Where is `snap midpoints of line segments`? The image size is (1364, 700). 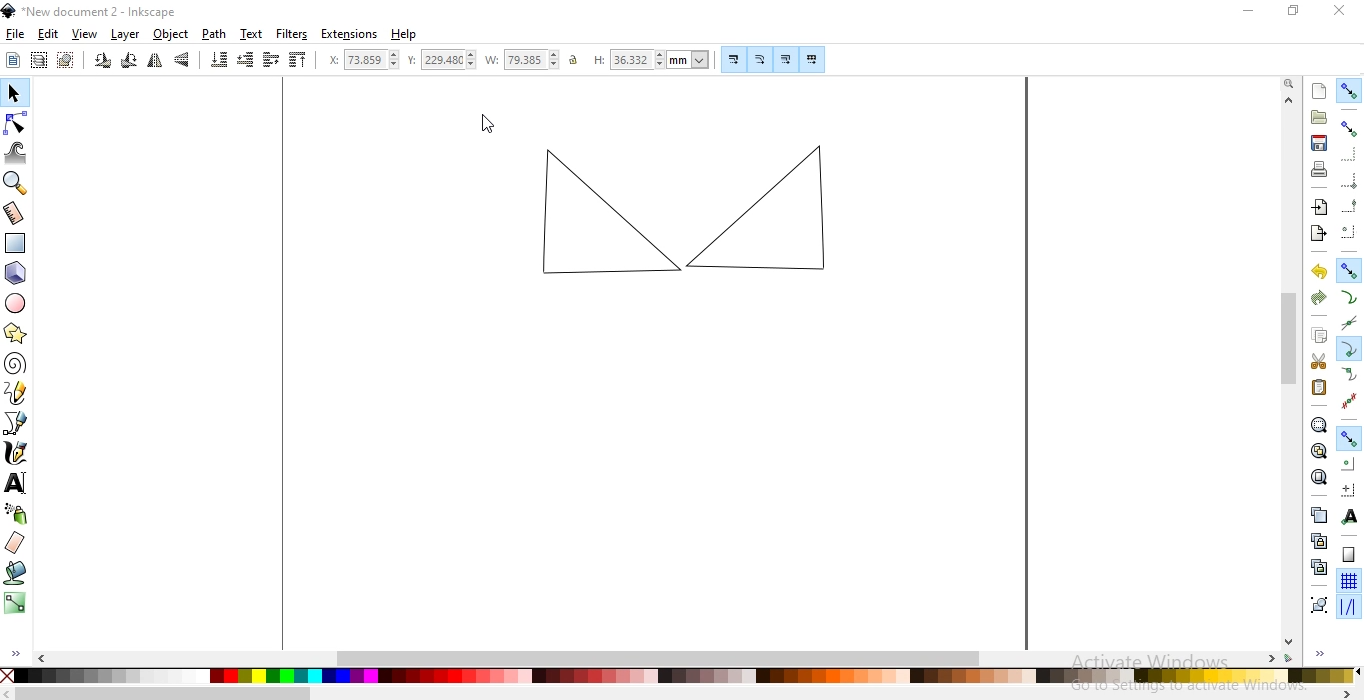 snap midpoints of line segments is located at coordinates (1350, 402).